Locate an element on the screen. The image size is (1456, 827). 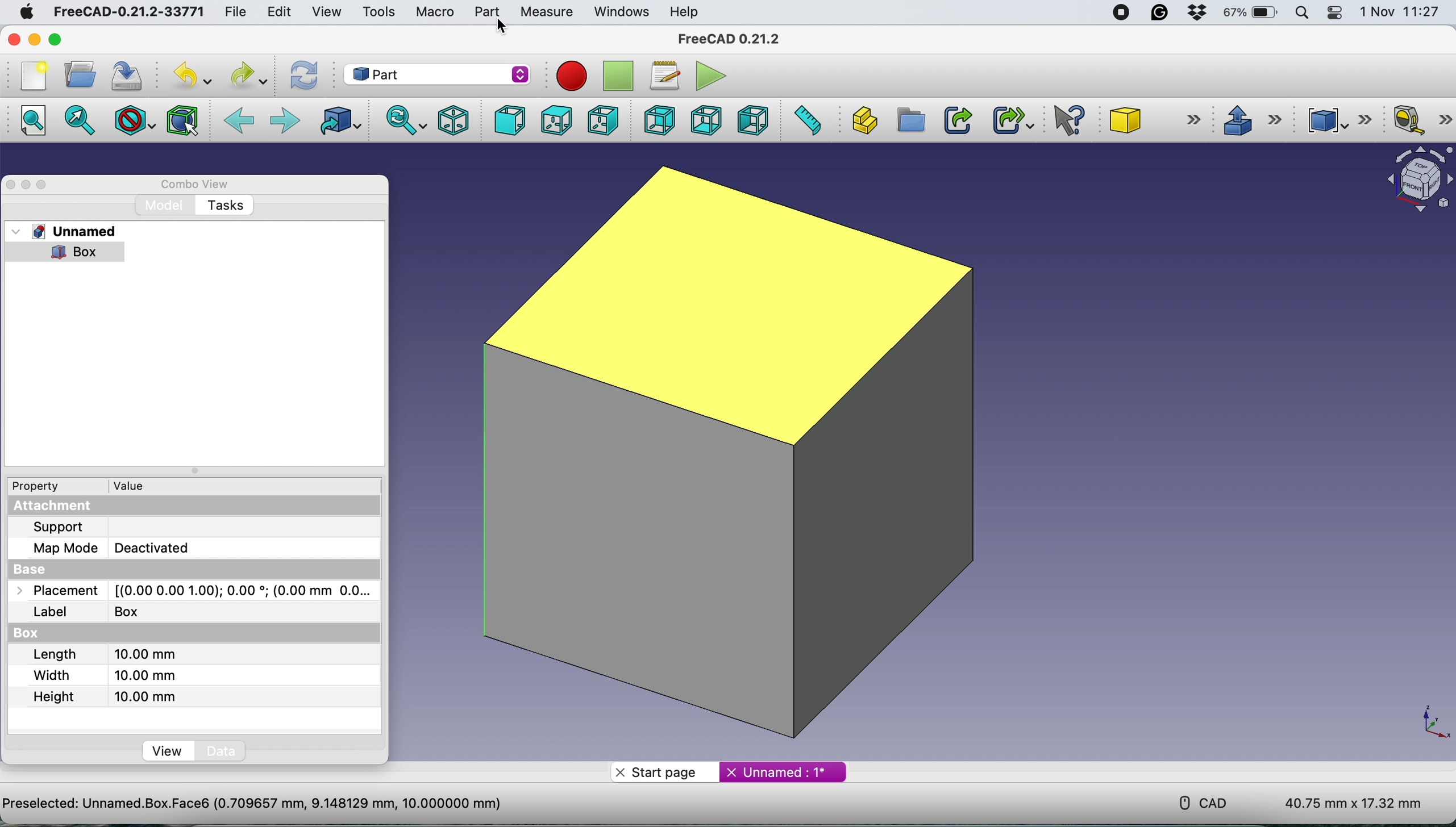
draw style is located at coordinates (133, 120).